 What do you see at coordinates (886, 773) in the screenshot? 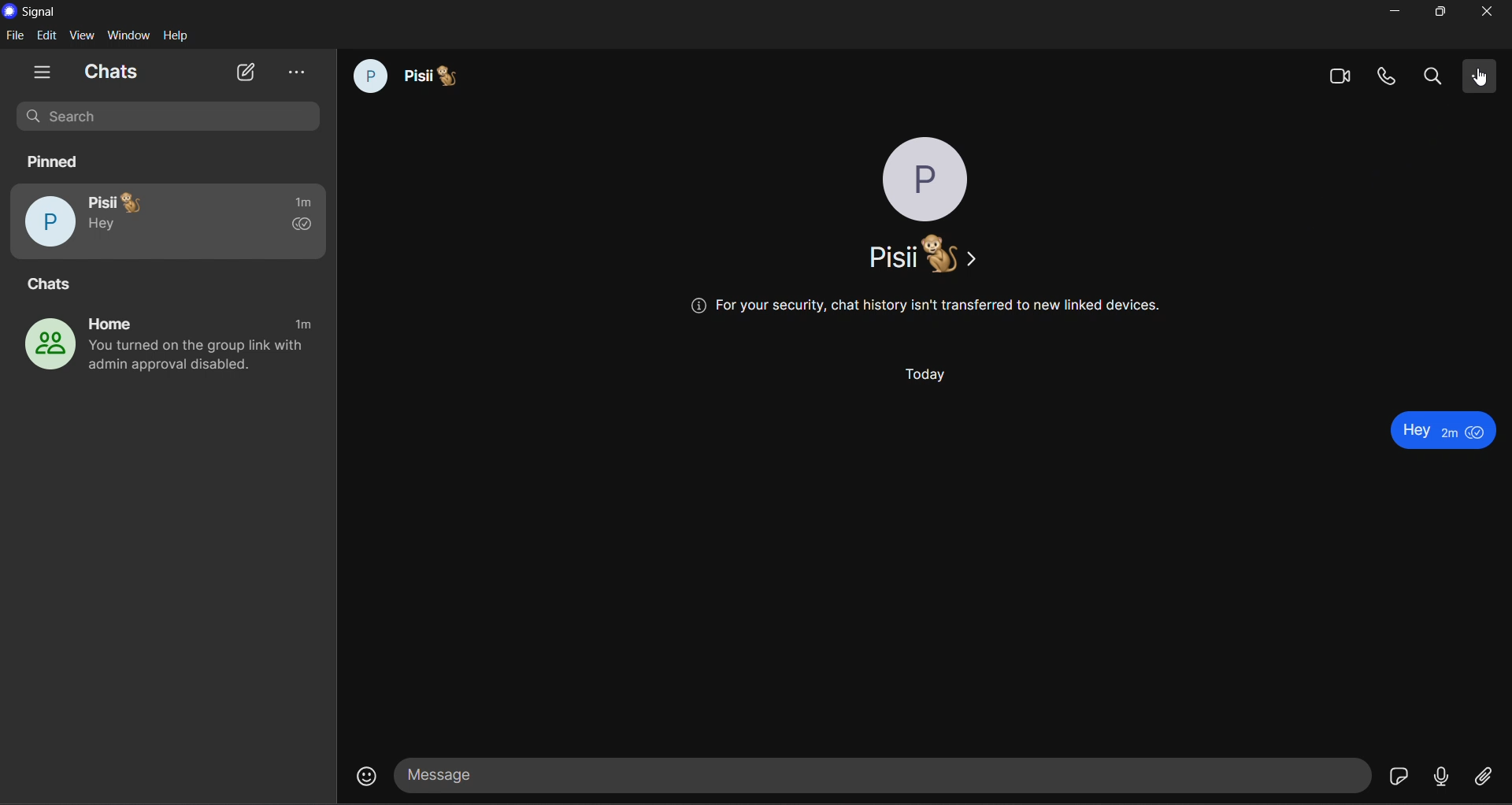
I see `message` at bounding box center [886, 773].